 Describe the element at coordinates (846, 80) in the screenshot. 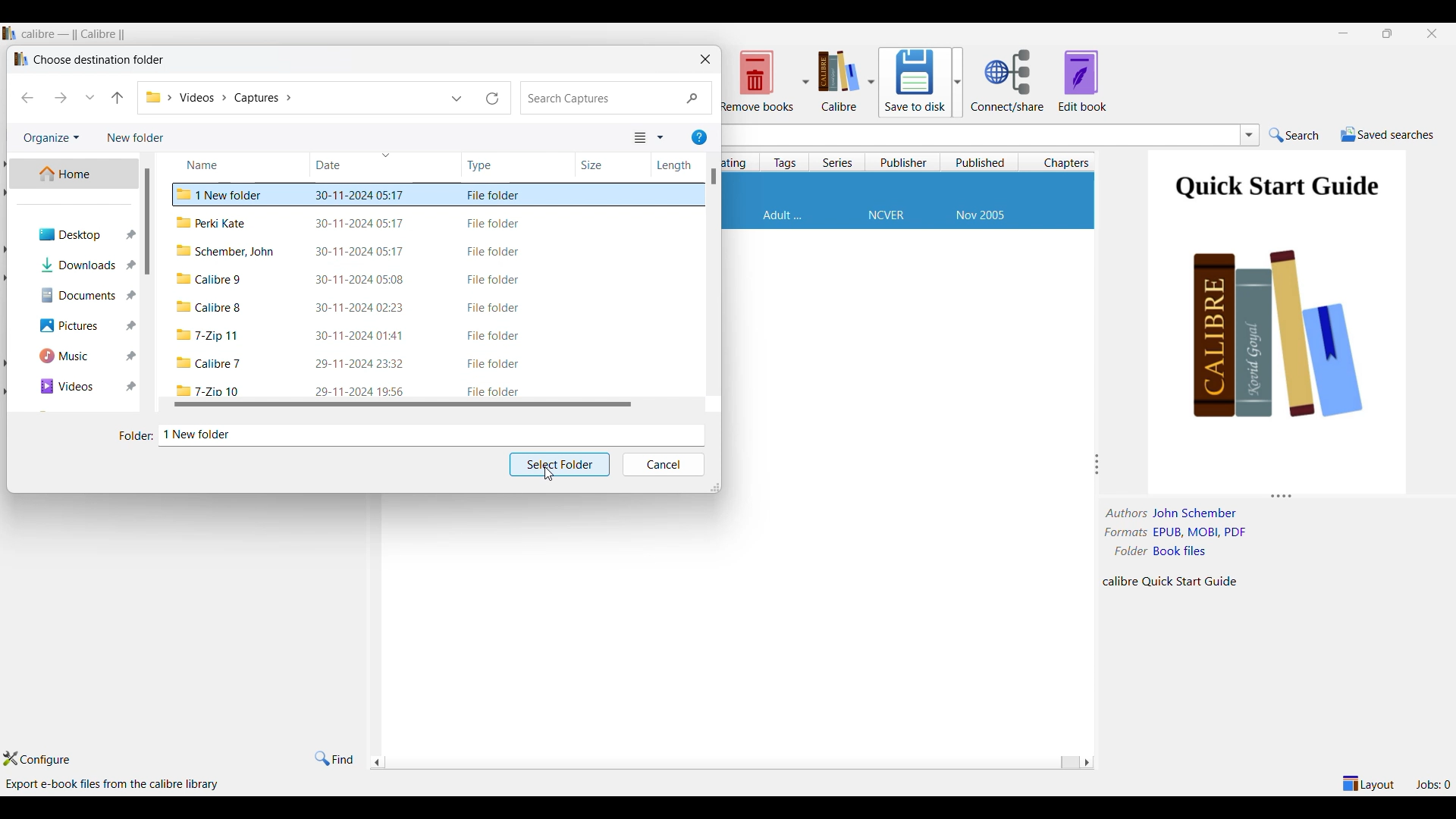

I see `Calibre options` at that location.